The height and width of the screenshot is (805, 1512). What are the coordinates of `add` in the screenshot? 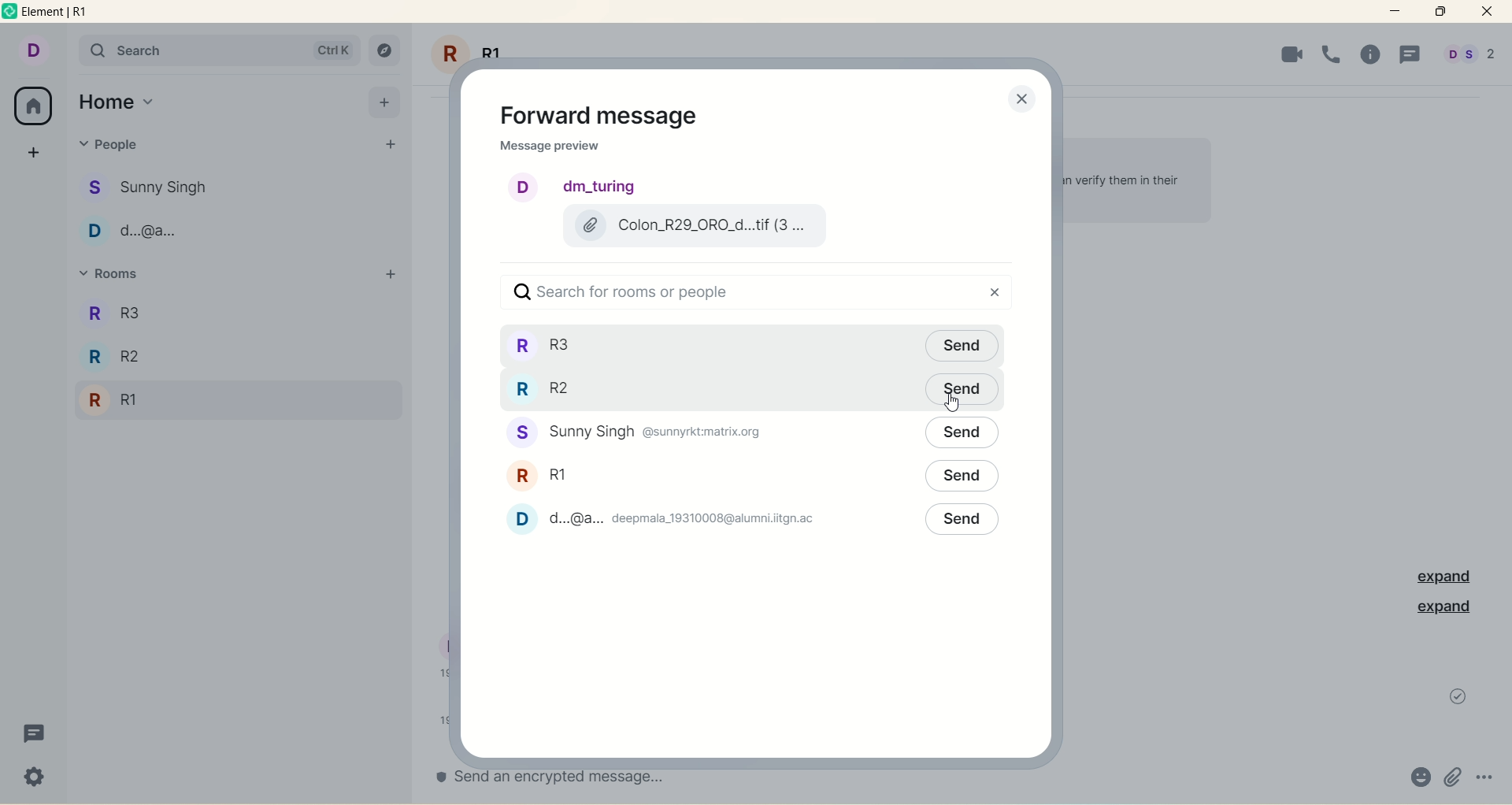 It's located at (384, 101).